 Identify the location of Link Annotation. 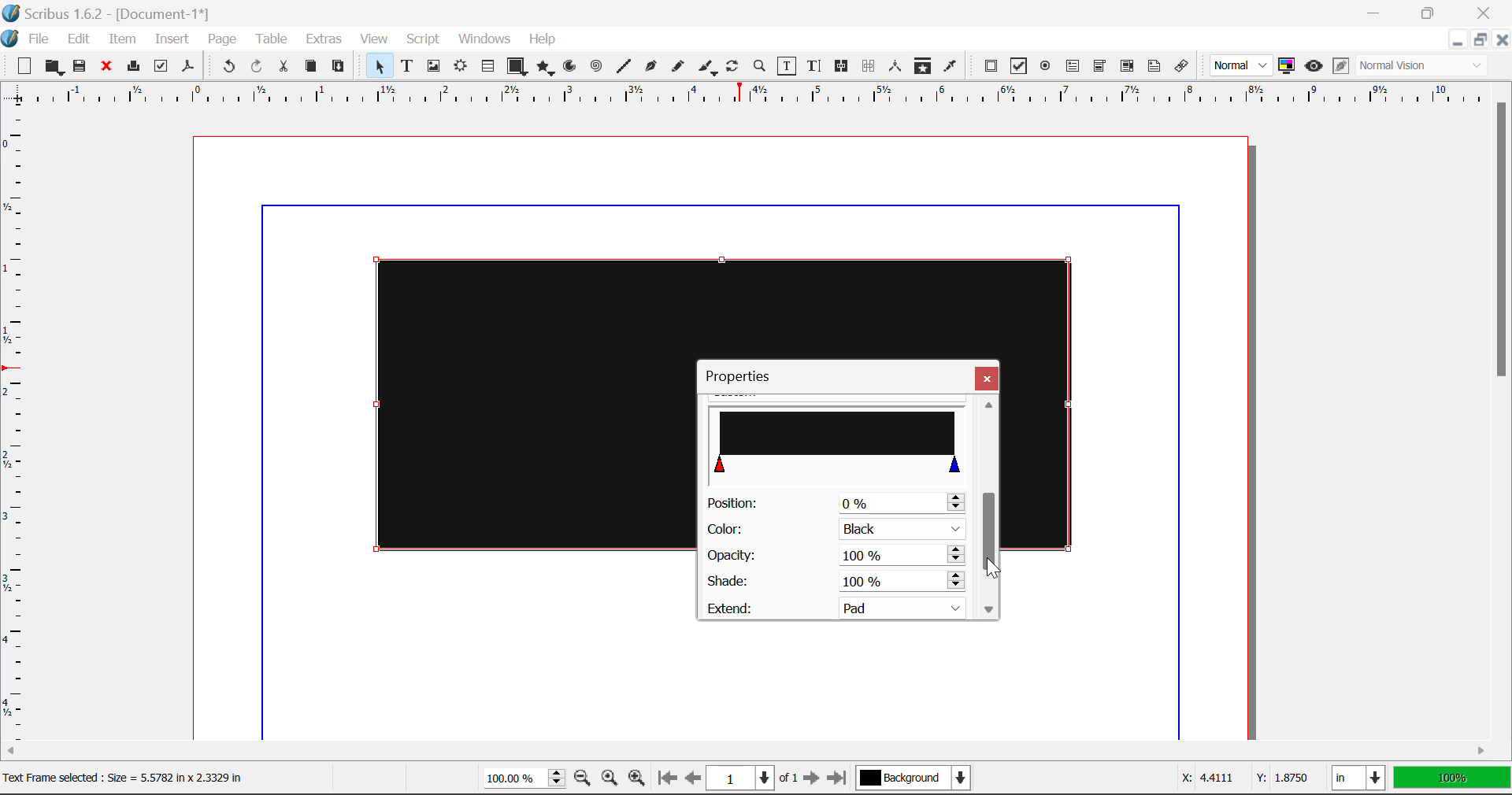
(1185, 67).